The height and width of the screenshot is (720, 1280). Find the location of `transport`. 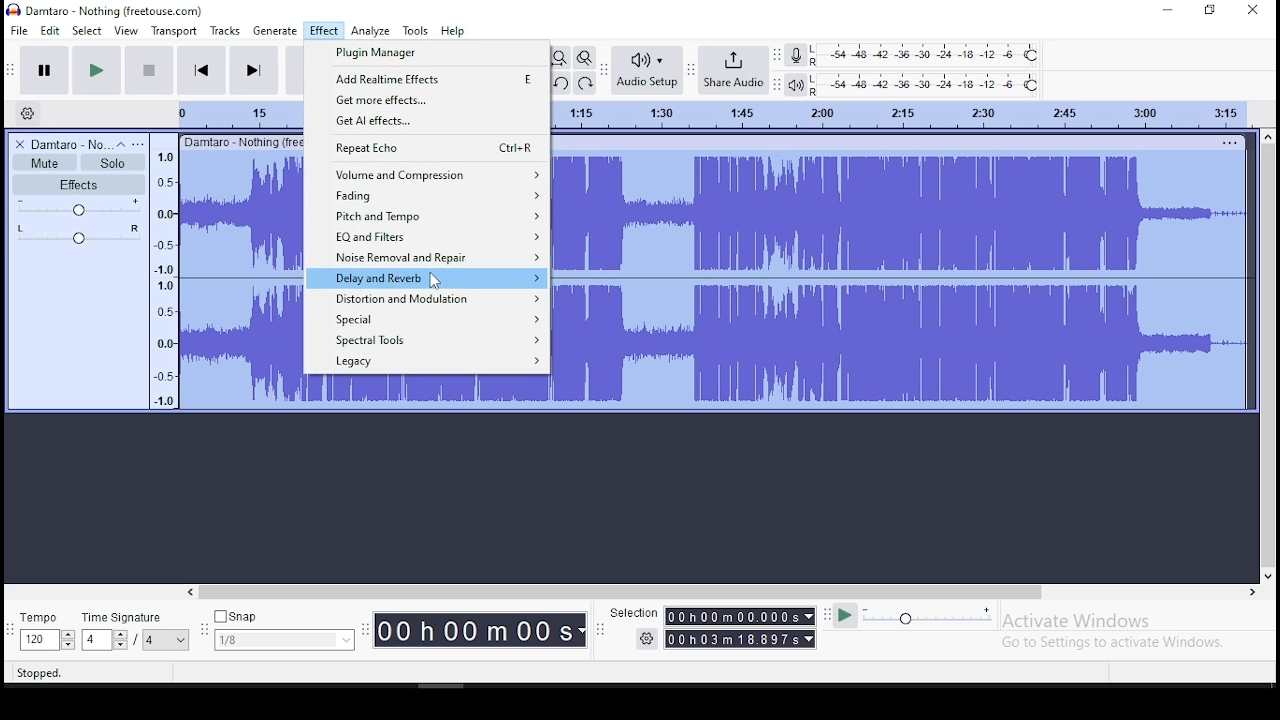

transport is located at coordinates (172, 31).